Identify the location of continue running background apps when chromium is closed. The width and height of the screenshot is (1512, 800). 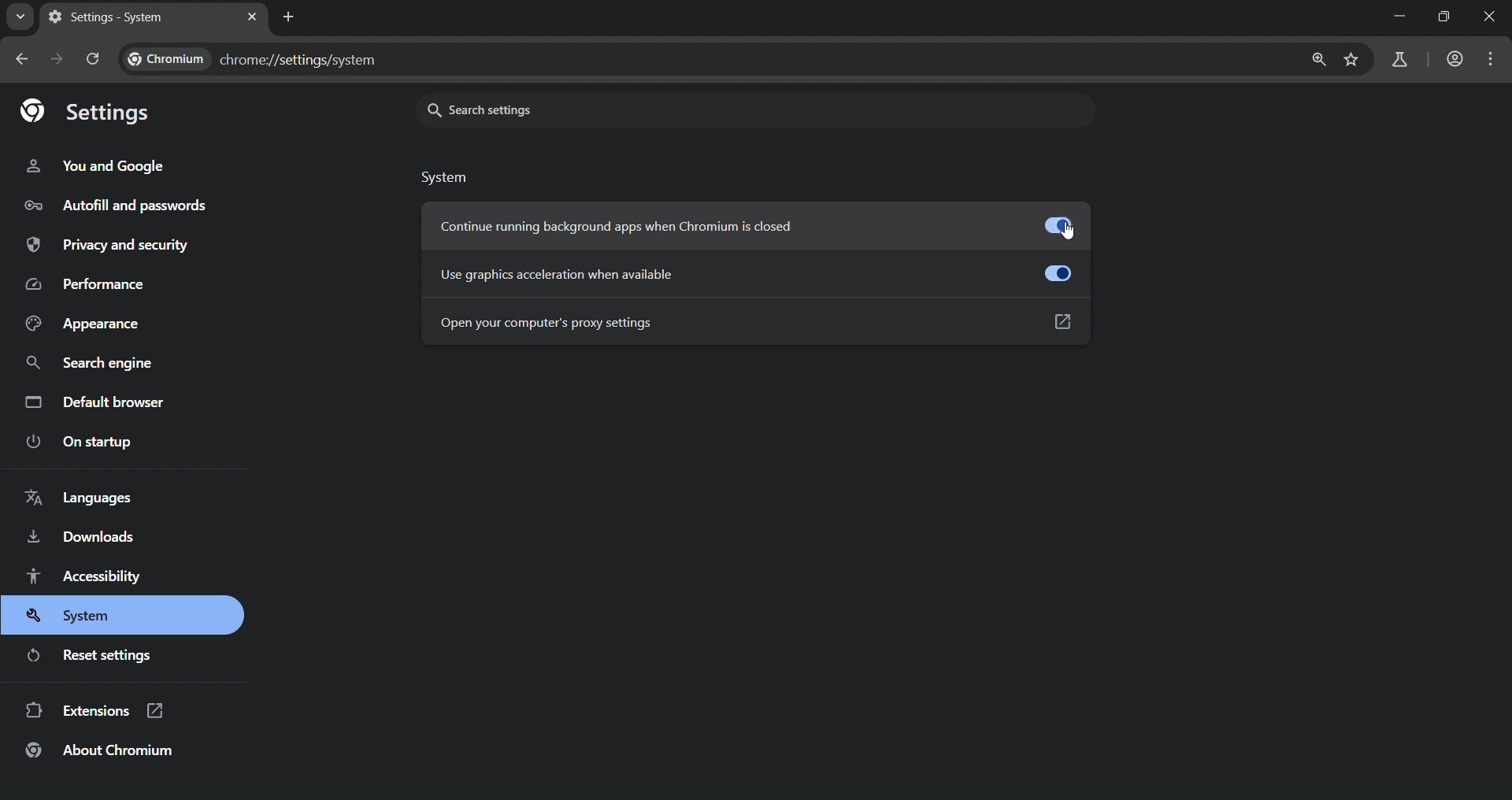
(761, 228).